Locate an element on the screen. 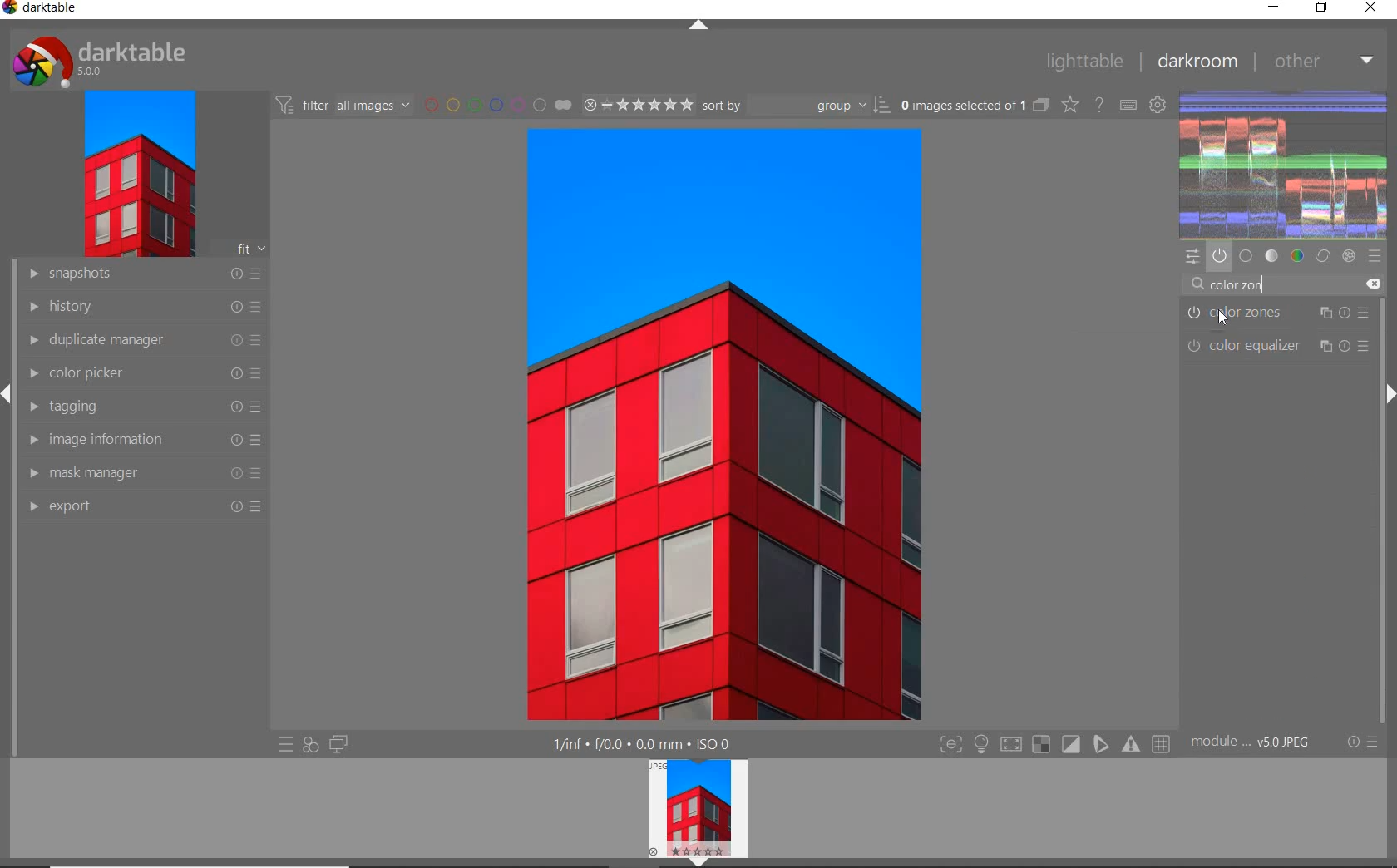 The image size is (1397, 868). selected images is located at coordinates (974, 106).